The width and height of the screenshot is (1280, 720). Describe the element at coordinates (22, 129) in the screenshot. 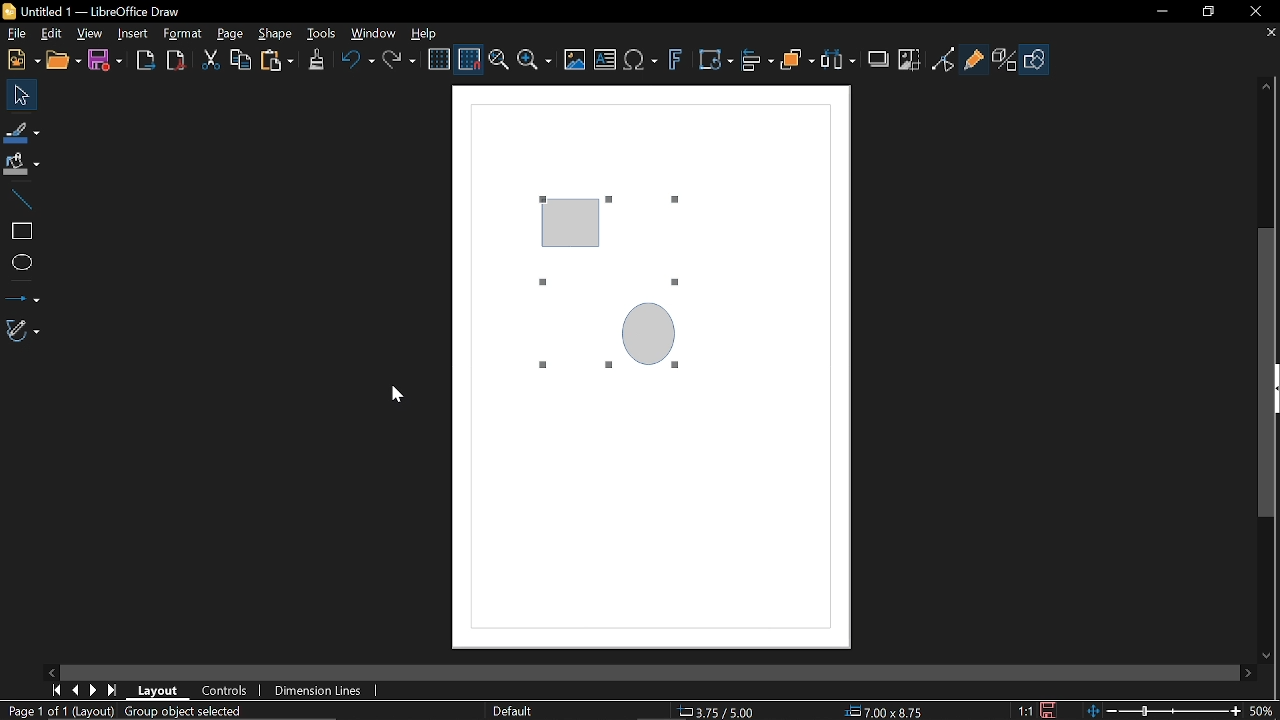

I see `Line color` at that location.